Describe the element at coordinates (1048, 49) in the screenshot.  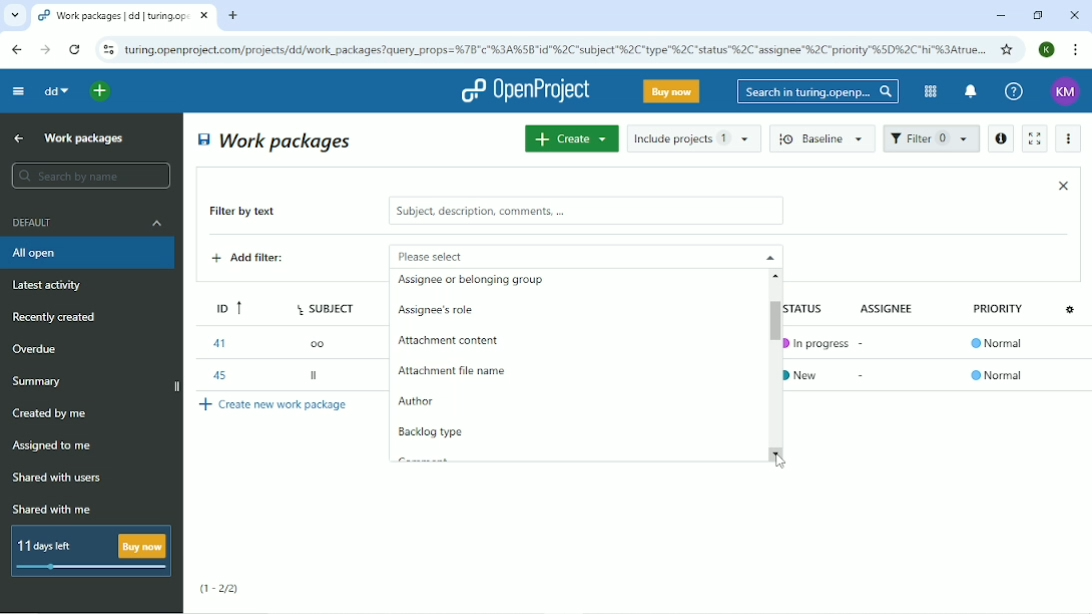
I see `Account` at that location.